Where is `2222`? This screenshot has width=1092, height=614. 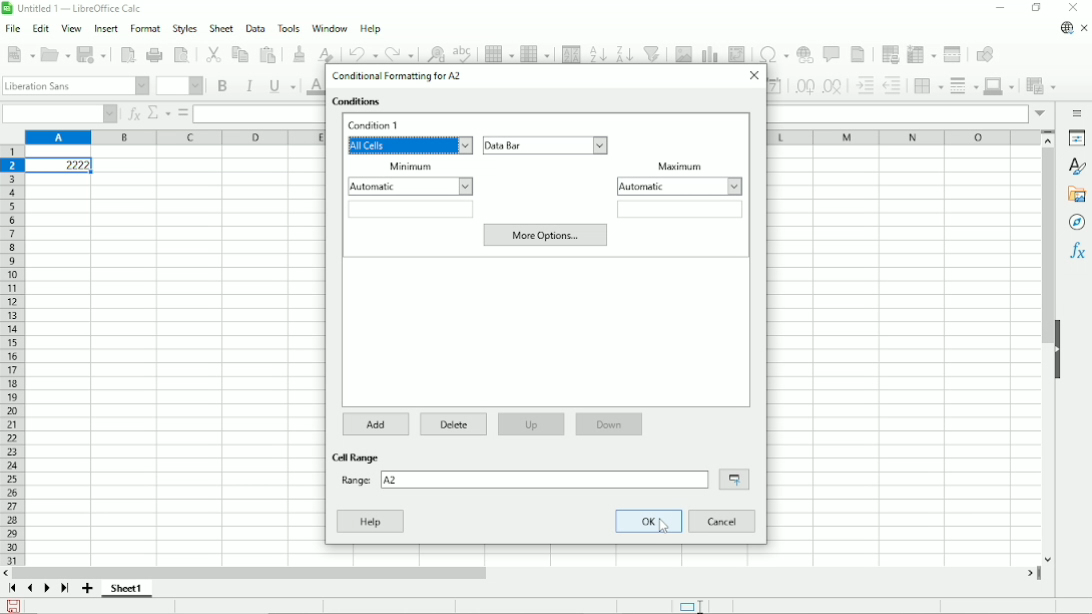
2222 is located at coordinates (60, 165).